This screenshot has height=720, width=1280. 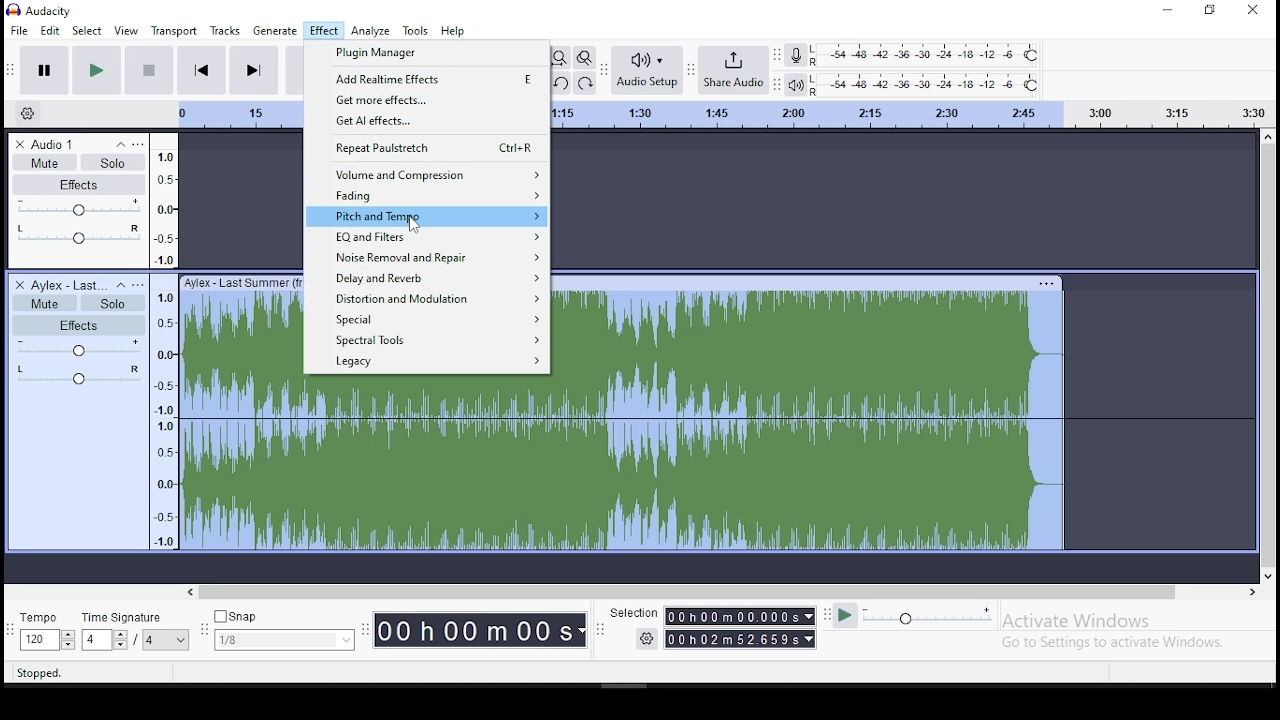 What do you see at coordinates (253, 71) in the screenshot?
I see `skip to end` at bounding box center [253, 71].